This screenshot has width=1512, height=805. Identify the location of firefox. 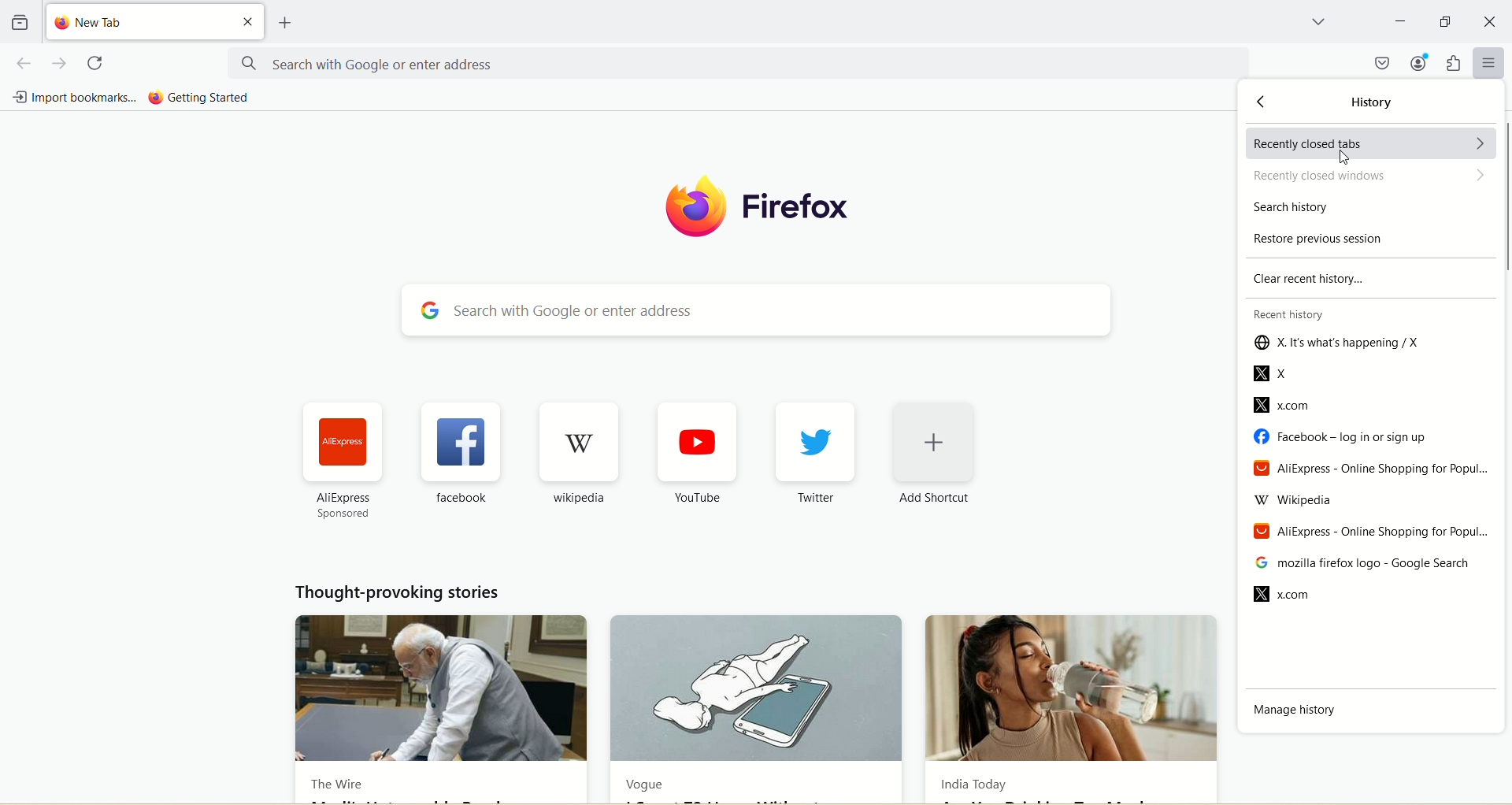
(797, 210).